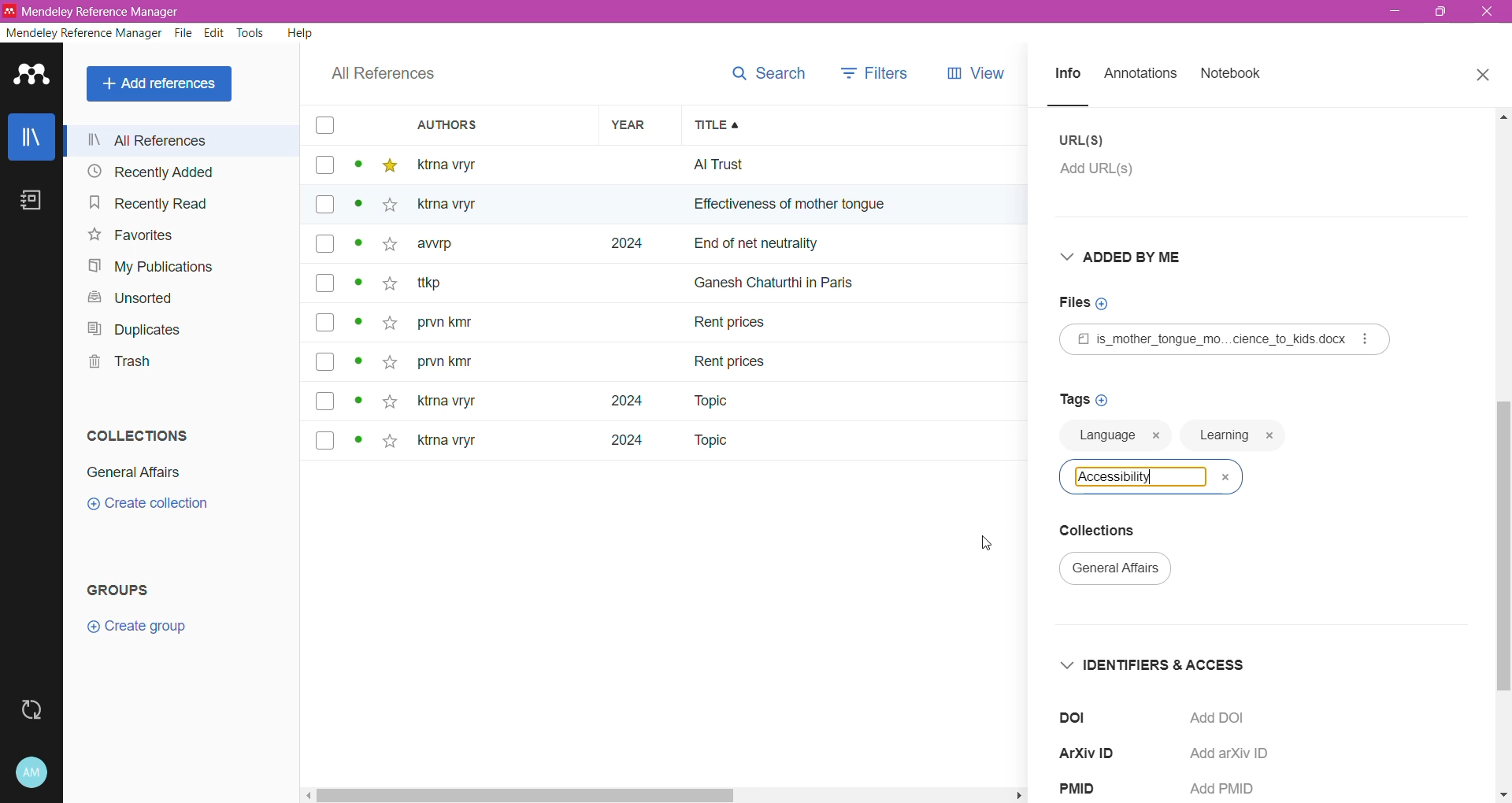  Describe the element at coordinates (1092, 303) in the screenshot. I see `Click to add Files` at that location.